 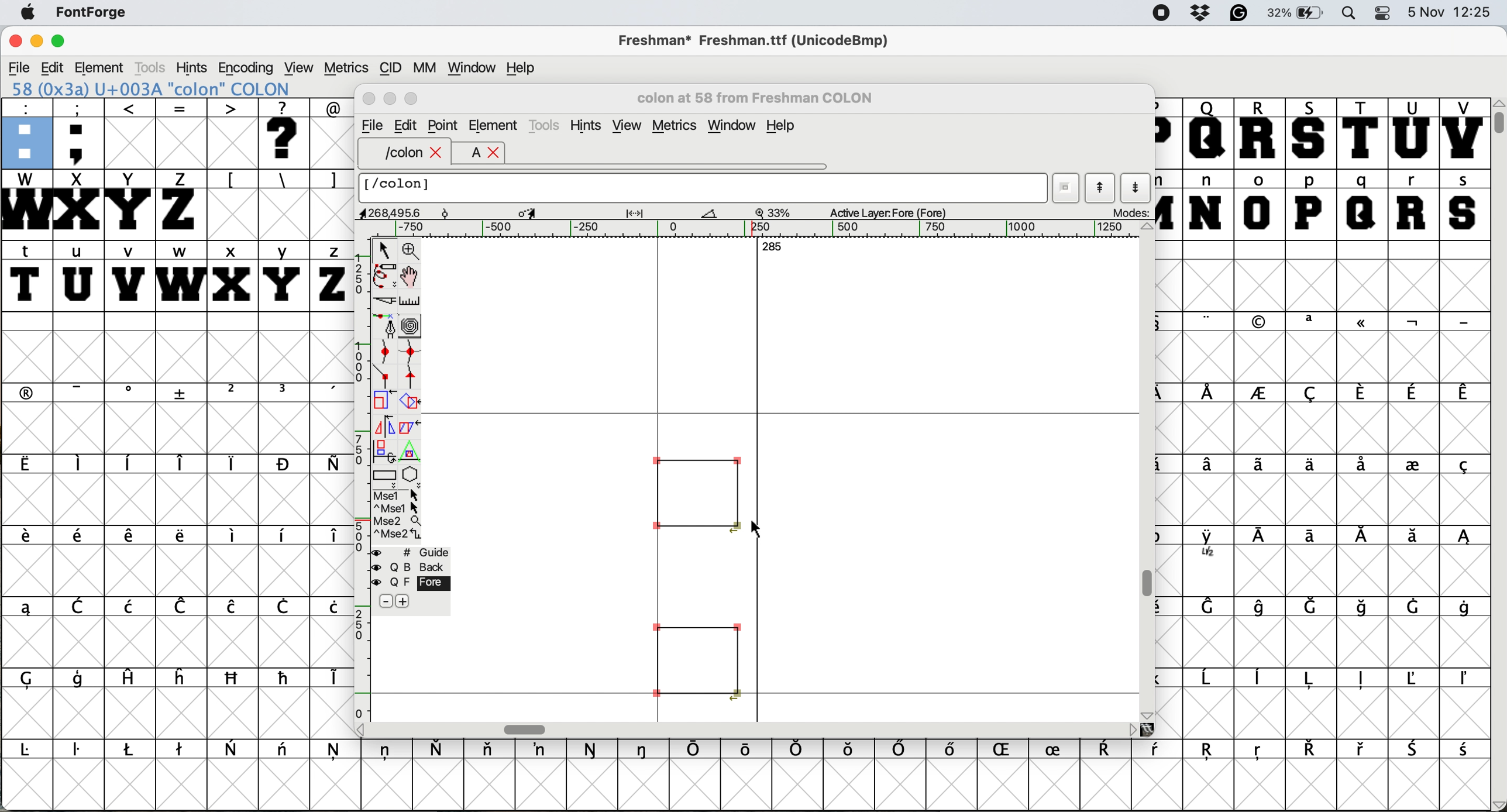 What do you see at coordinates (1363, 205) in the screenshot?
I see `q` at bounding box center [1363, 205].